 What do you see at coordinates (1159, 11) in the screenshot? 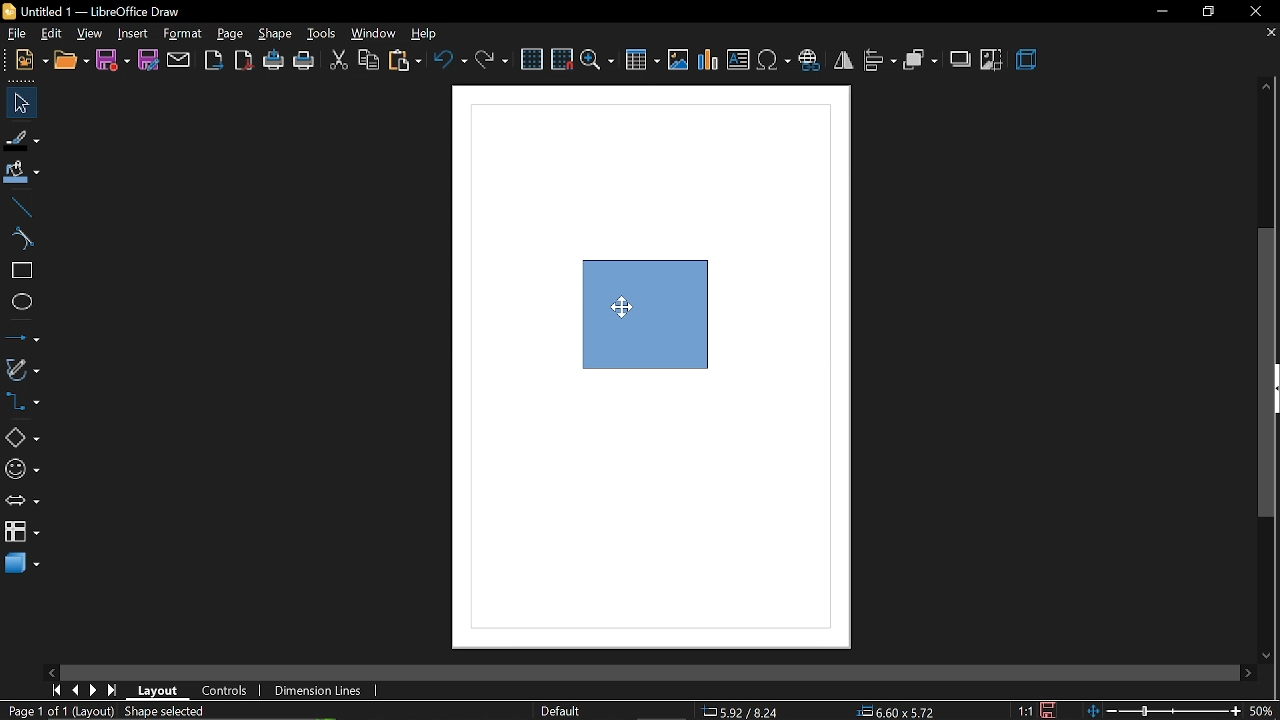
I see `Minimize` at bounding box center [1159, 11].